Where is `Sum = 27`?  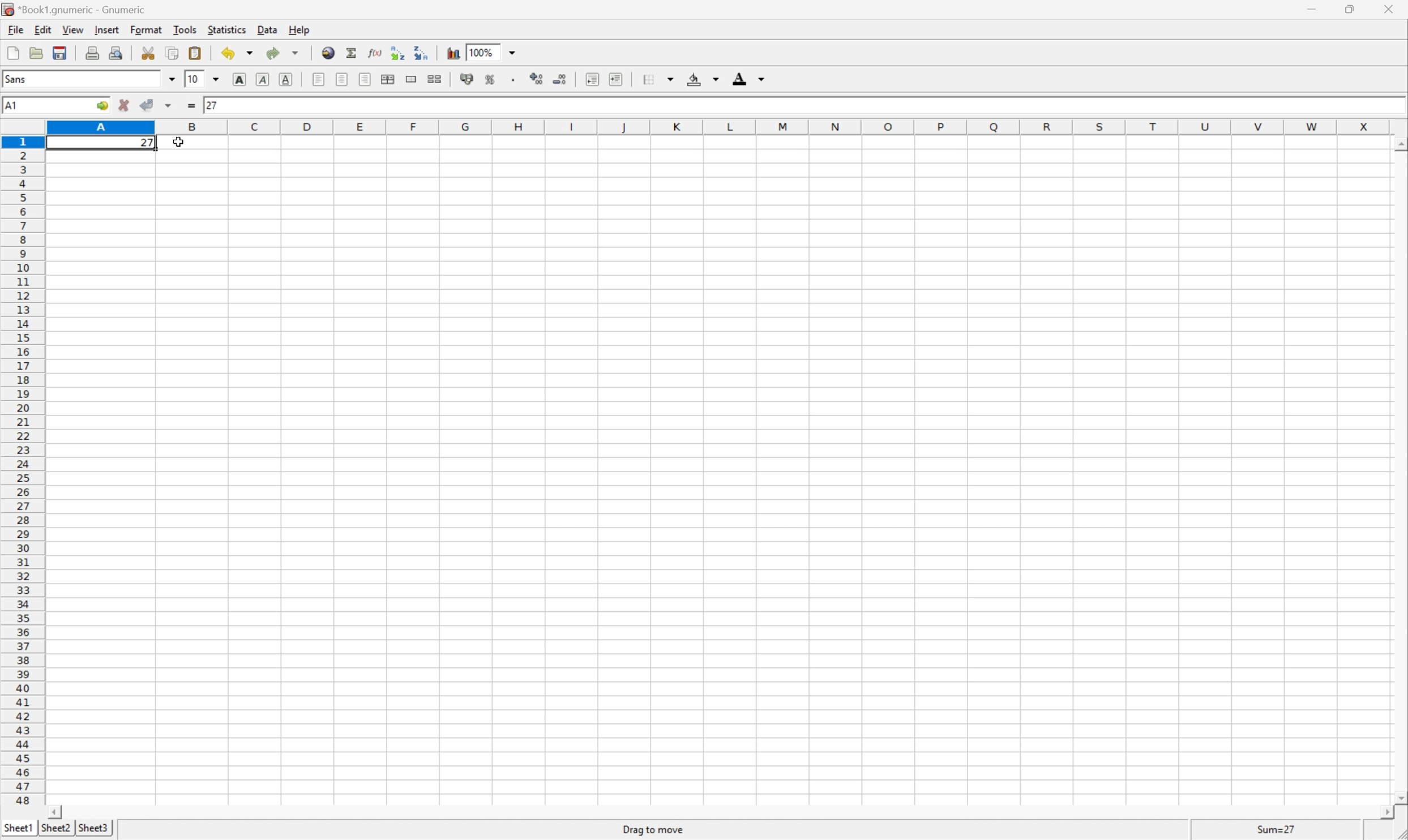 Sum = 27 is located at coordinates (1277, 829).